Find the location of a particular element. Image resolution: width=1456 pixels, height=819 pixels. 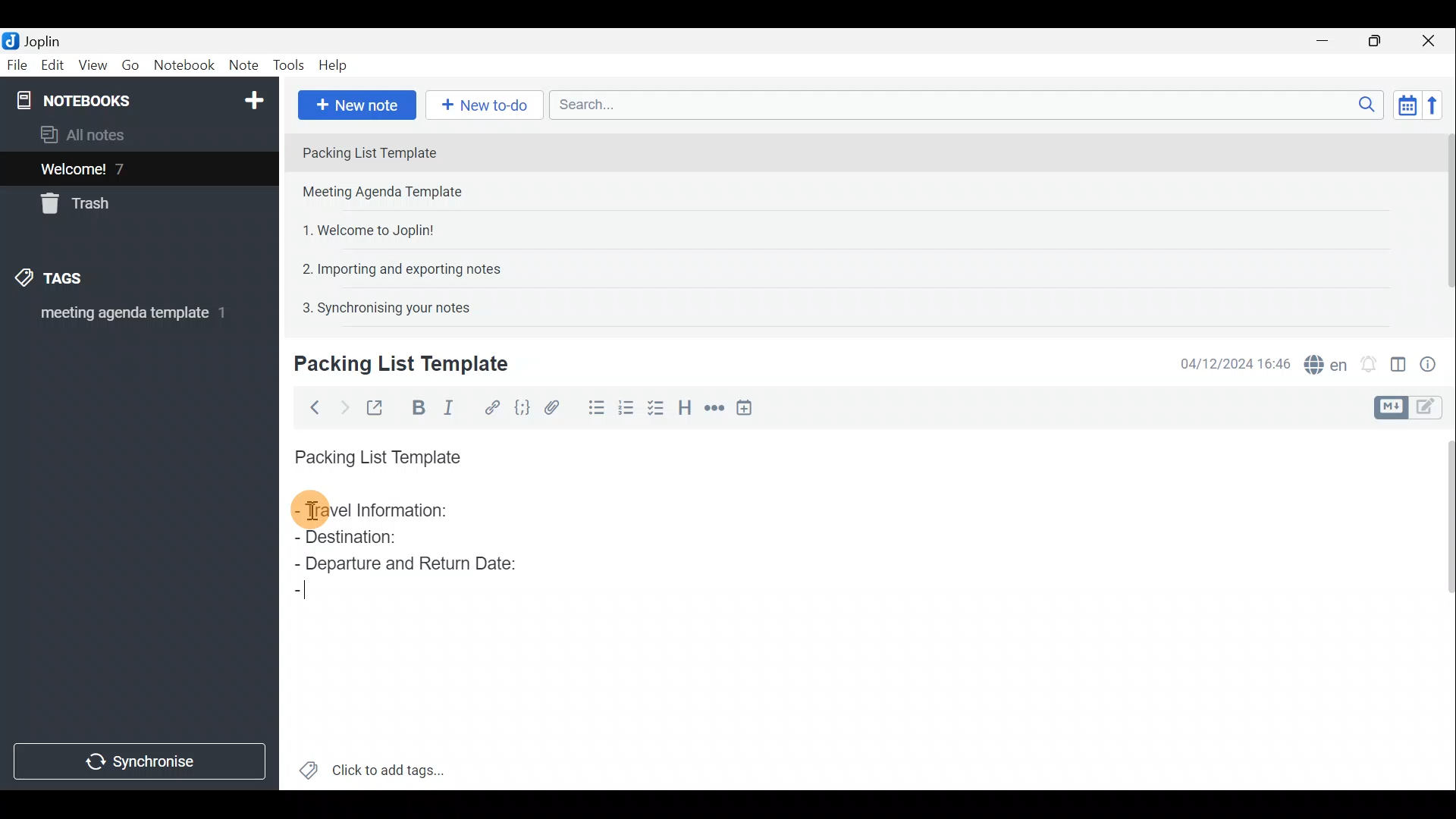

Scroll bar is located at coordinates (1442, 221).